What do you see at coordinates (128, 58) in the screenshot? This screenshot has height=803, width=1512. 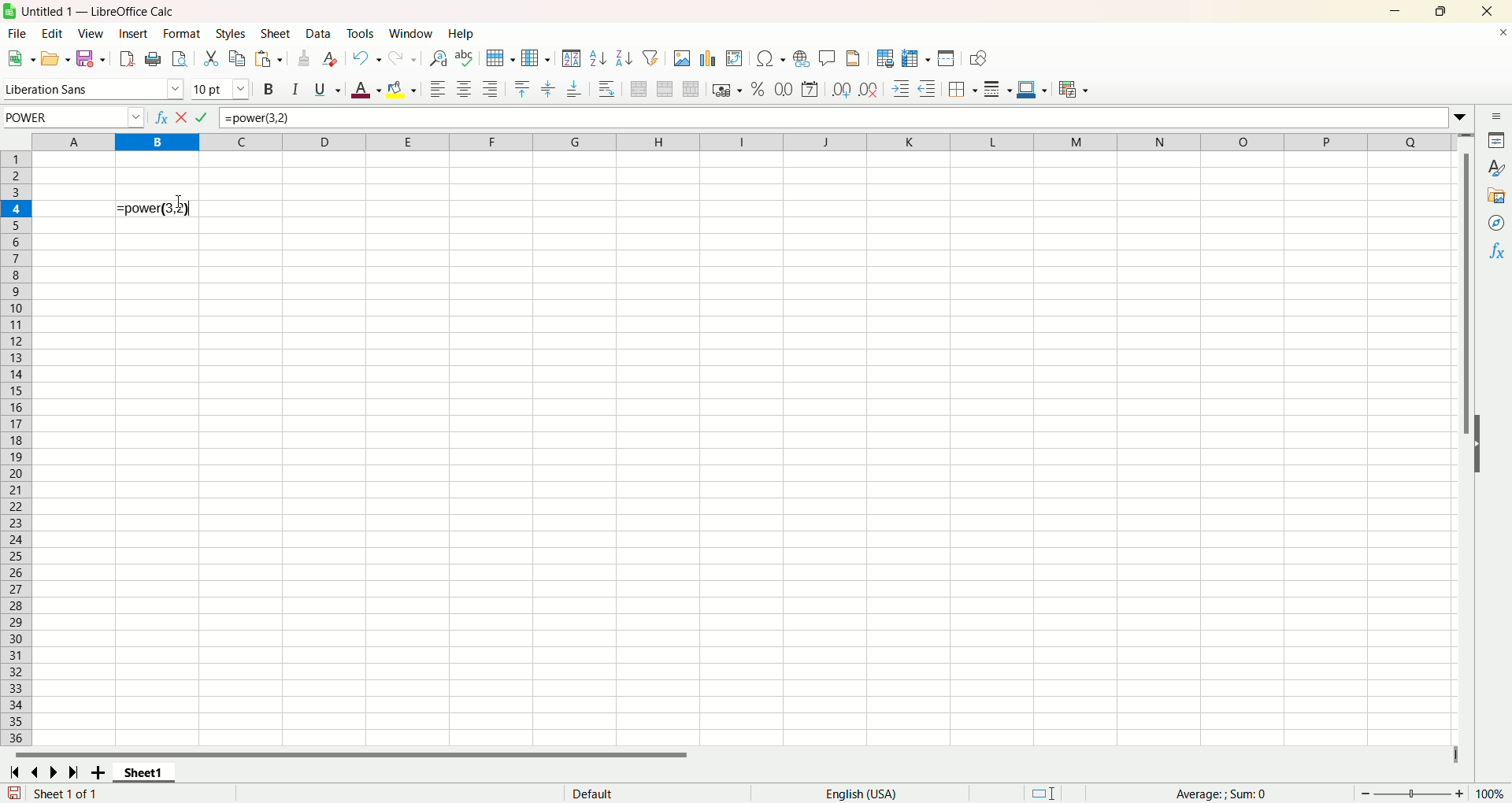 I see `export as PDF` at bounding box center [128, 58].